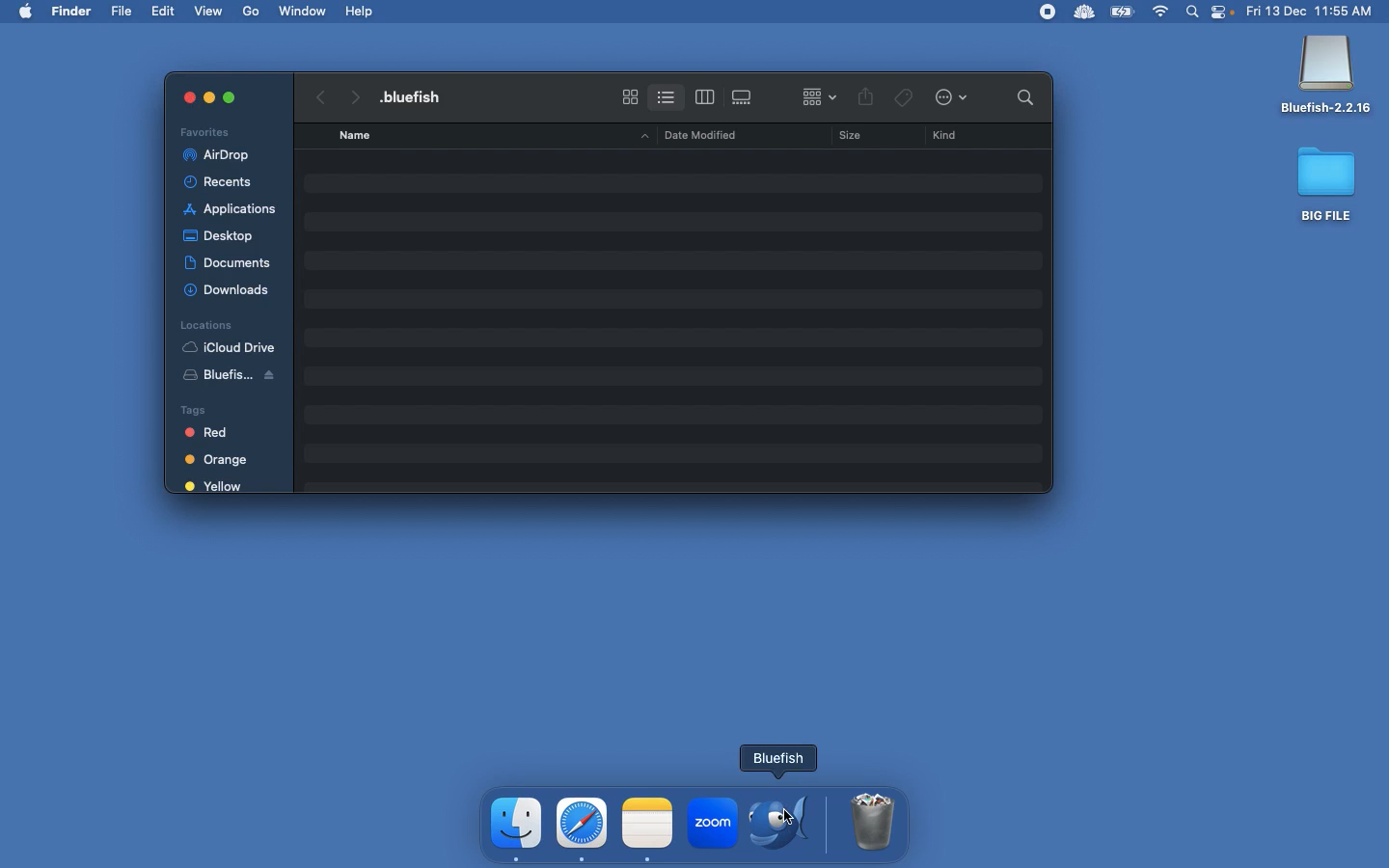 This screenshot has height=868, width=1389. What do you see at coordinates (1193, 14) in the screenshot?
I see `Search` at bounding box center [1193, 14].